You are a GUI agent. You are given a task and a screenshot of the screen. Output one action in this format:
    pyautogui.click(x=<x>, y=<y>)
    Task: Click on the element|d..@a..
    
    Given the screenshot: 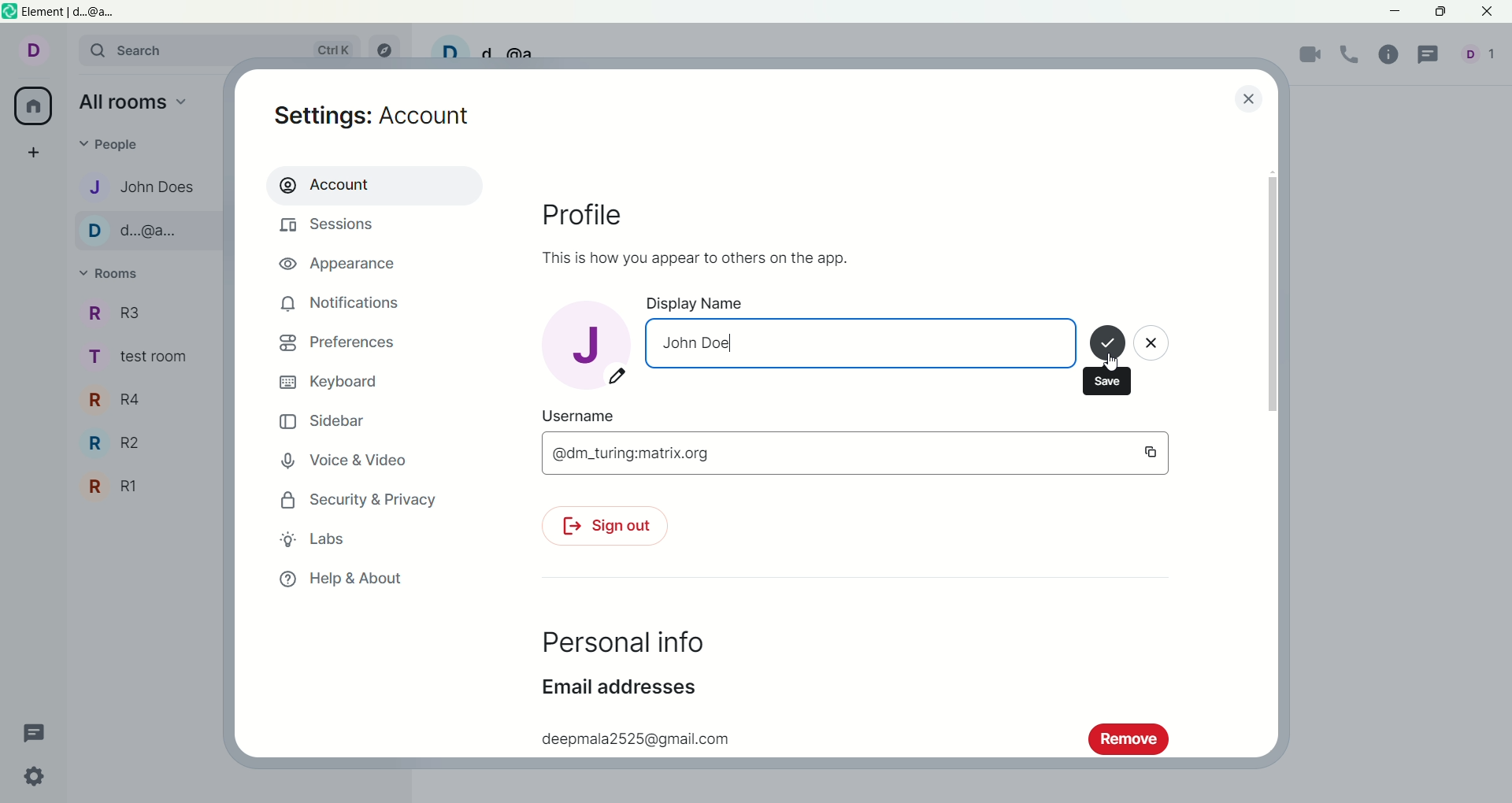 What is the action you would take?
    pyautogui.click(x=64, y=12)
    